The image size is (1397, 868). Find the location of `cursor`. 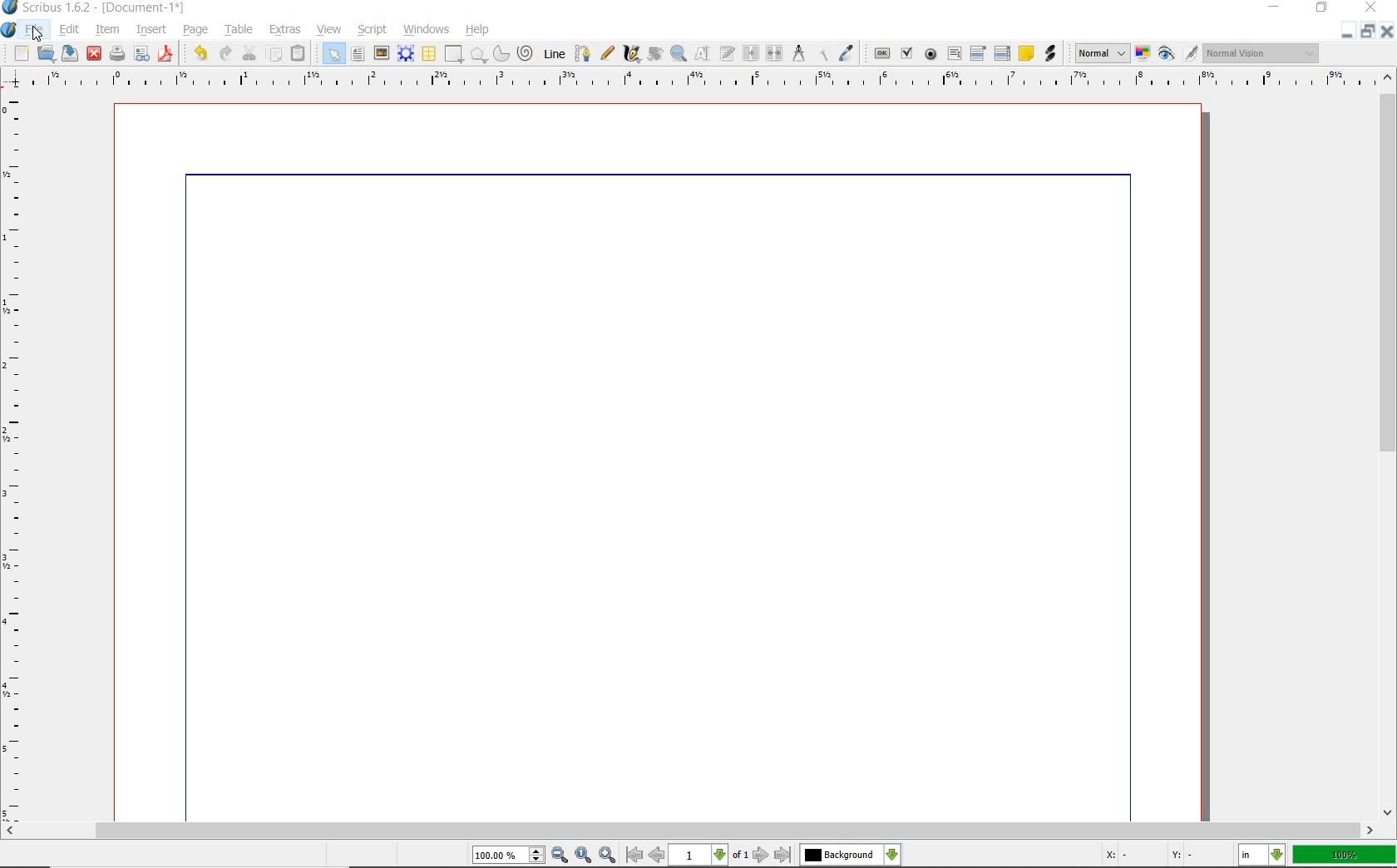

cursor is located at coordinates (39, 34).